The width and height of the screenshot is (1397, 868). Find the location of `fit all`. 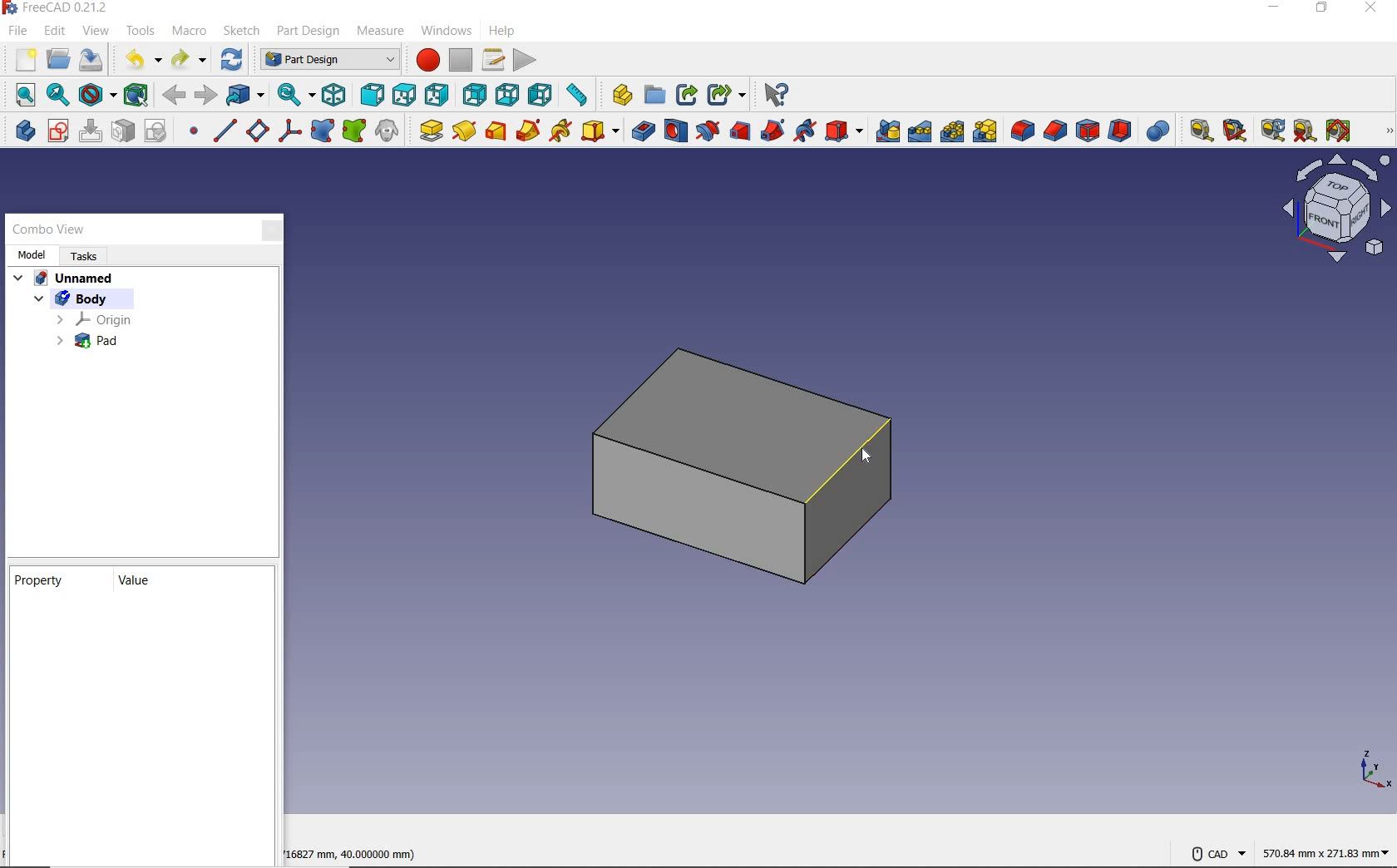

fit all is located at coordinates (20, 94).